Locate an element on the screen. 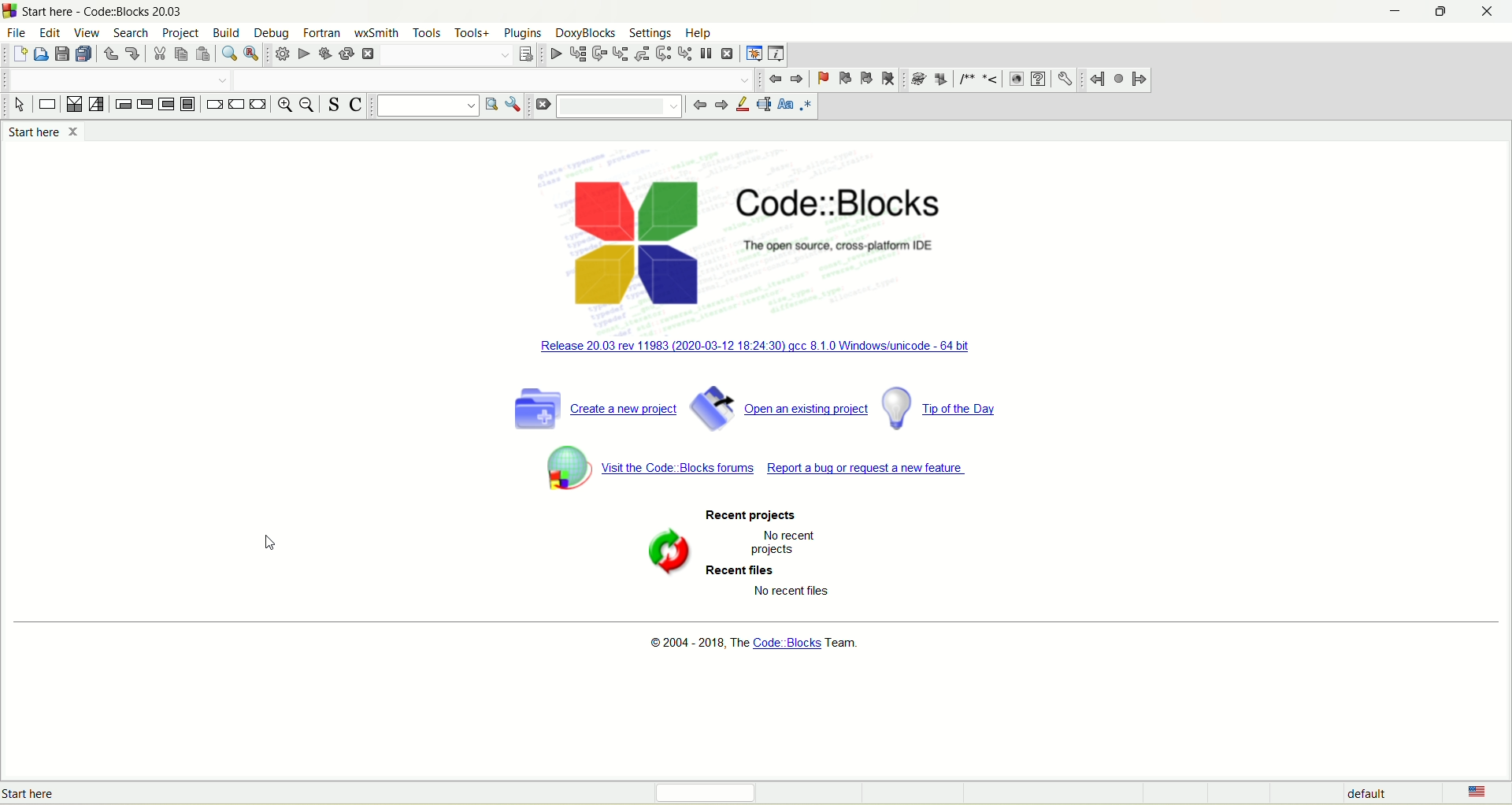 This screenshot has height=805, width=1512. project is located at coordinates (181, 34).